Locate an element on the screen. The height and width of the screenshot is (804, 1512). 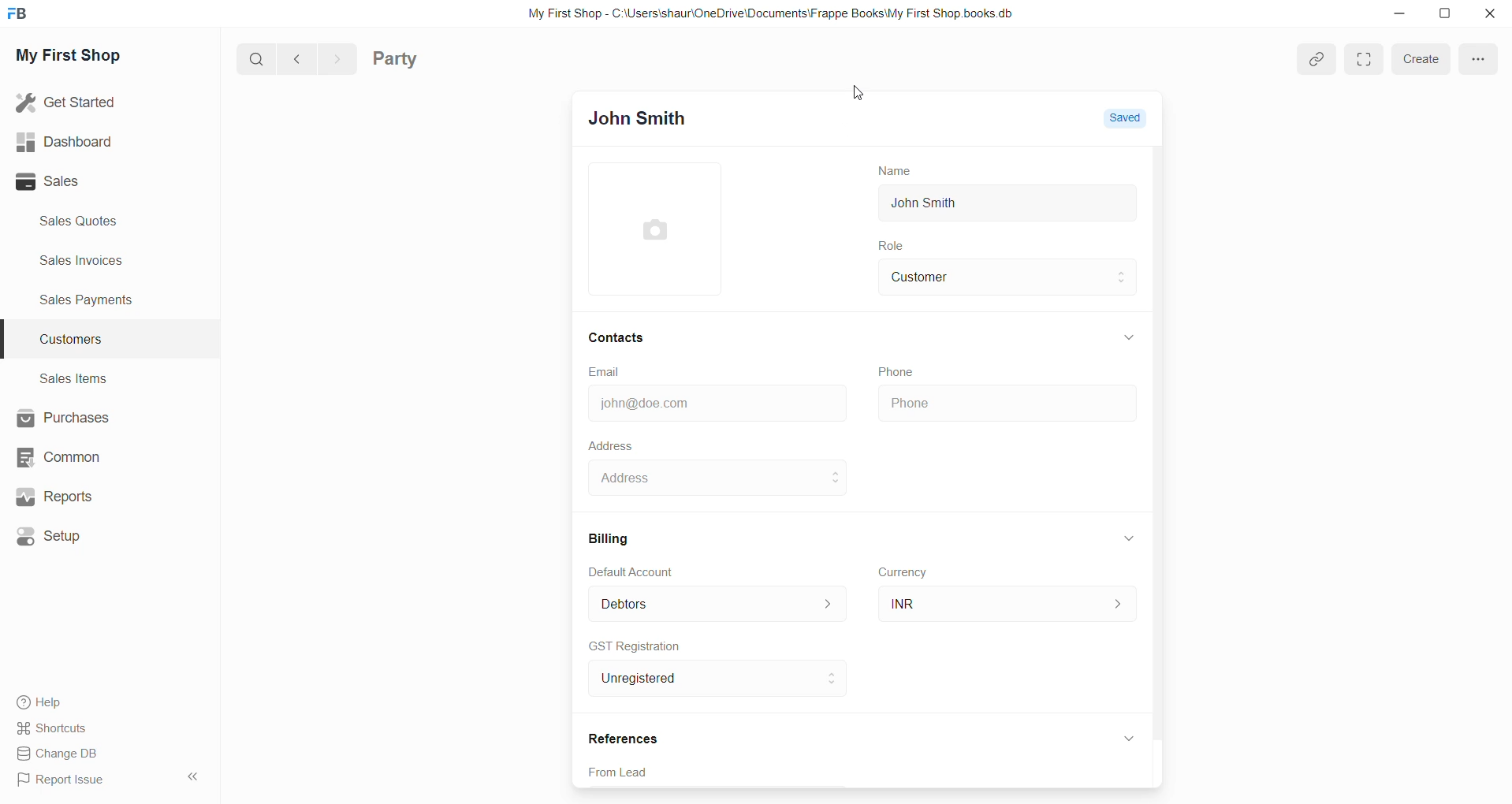
Create is located at coordinates (1425, 62).